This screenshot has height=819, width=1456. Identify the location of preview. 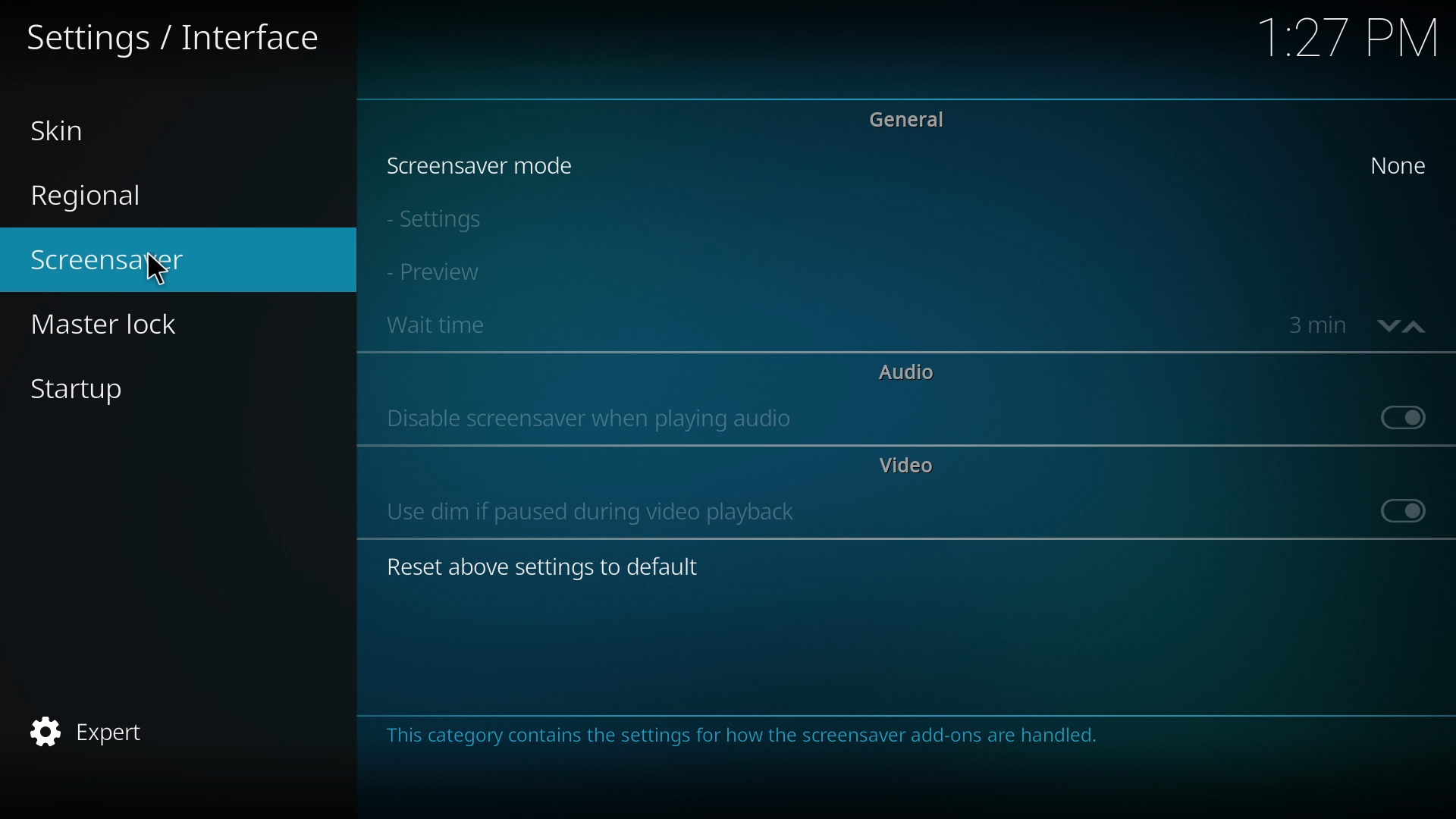
(457, 272).